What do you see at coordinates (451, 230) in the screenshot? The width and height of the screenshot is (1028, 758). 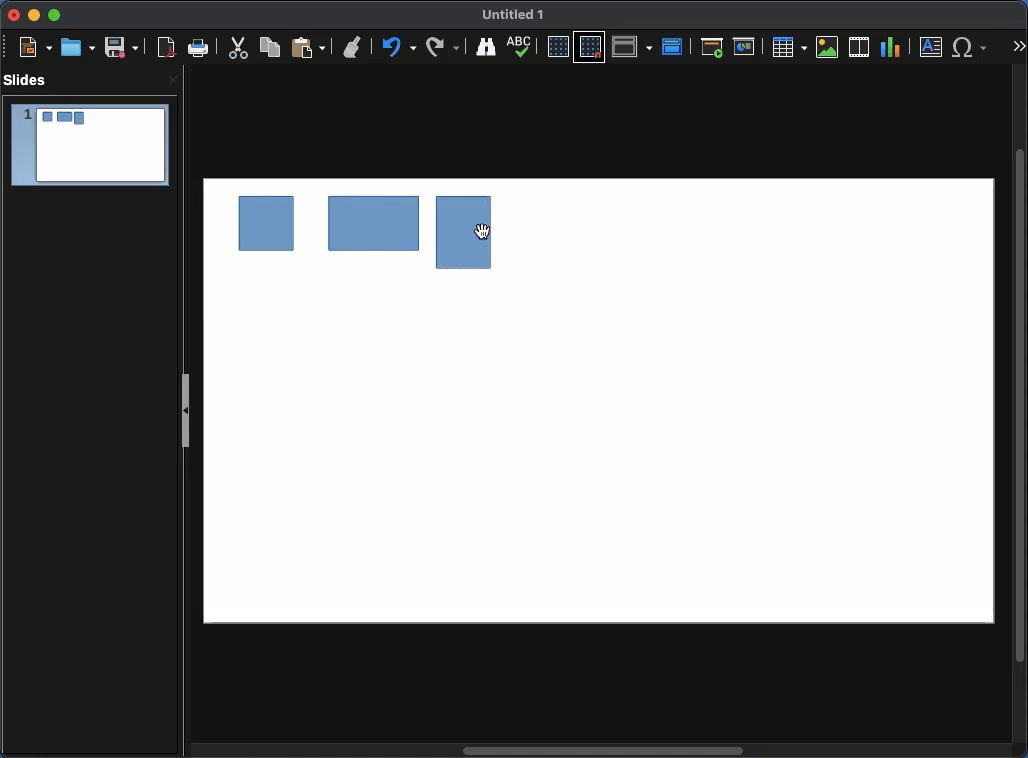 I see `shape` at bounding box center [451, 230].